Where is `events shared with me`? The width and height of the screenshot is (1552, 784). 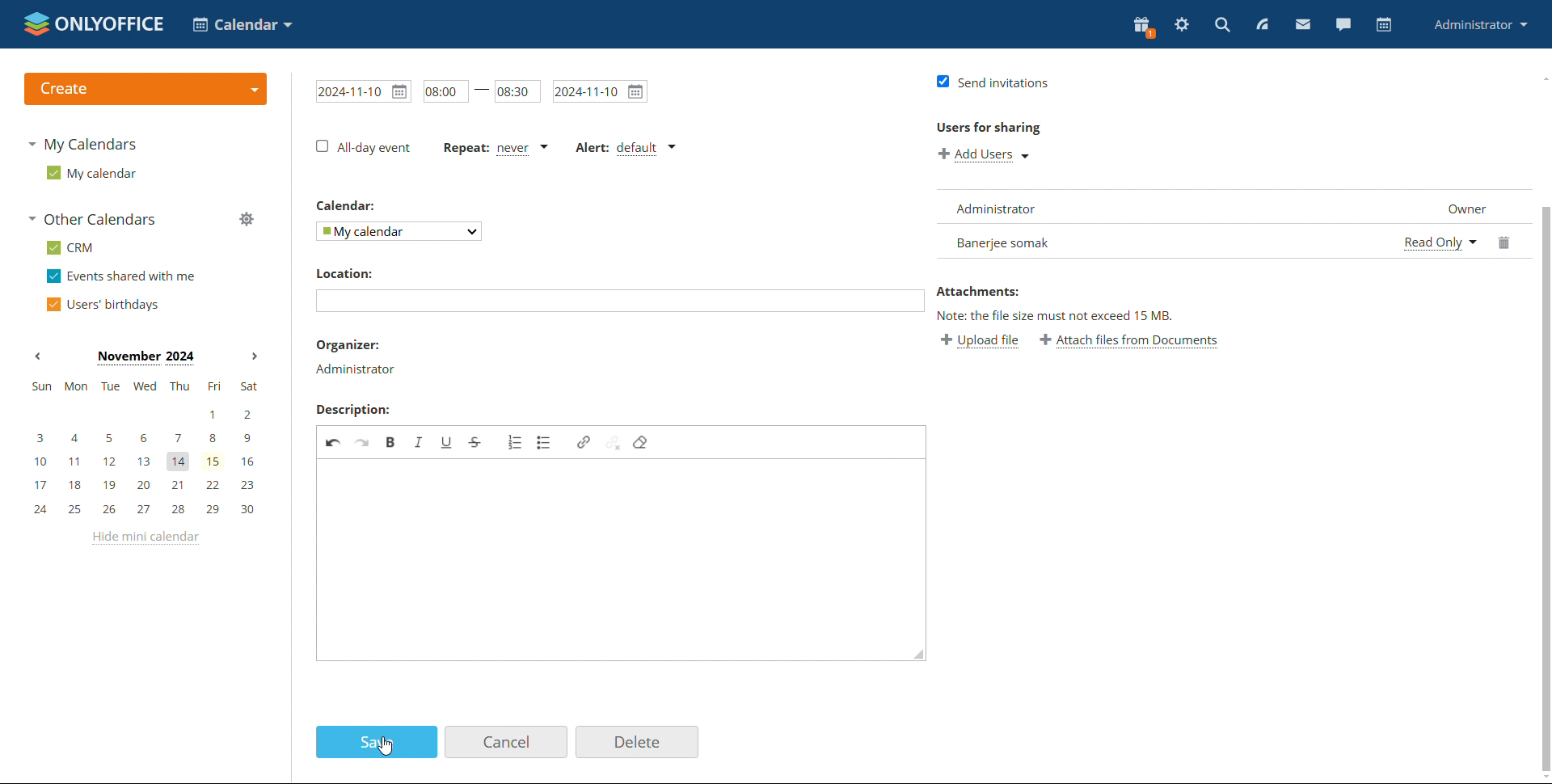 events shared with me is located at coordinates (121, 276).